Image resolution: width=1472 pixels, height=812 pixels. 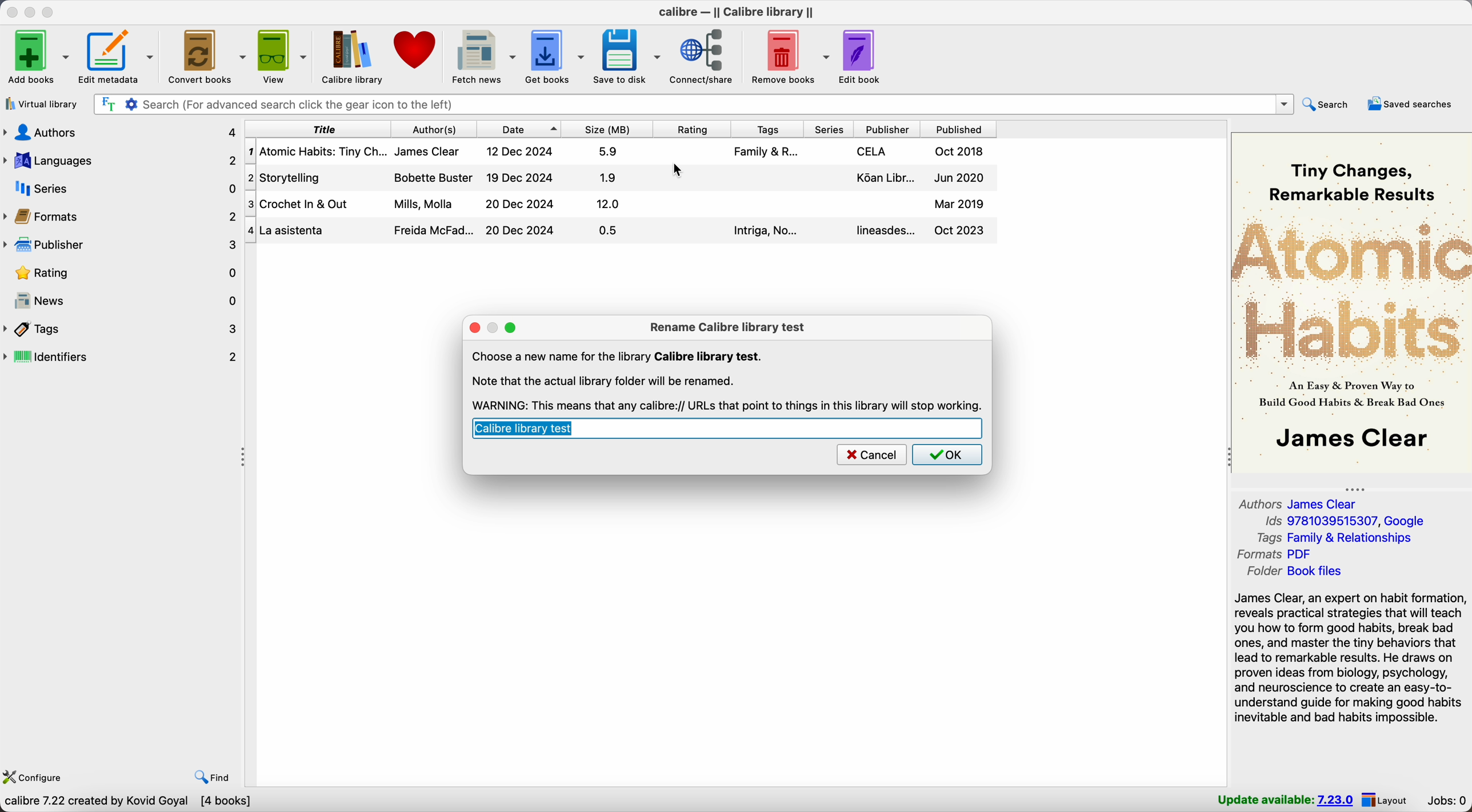 What do you see at coordinates (37, 775) in the screenshot?
I see `configure` at bounding box center [37, 775].